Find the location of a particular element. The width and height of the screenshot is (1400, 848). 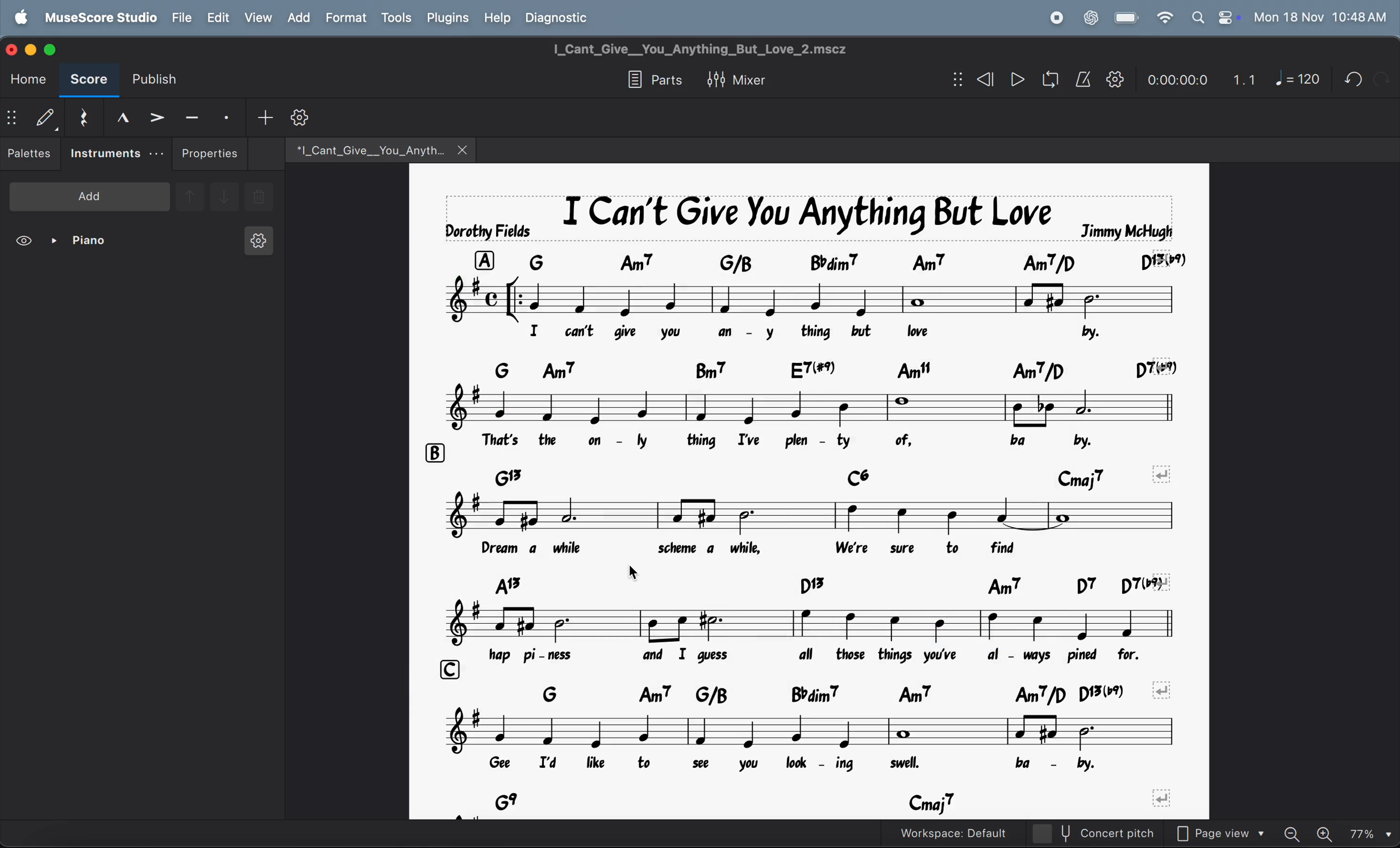

lyrics is located at coordinates (806, 437).